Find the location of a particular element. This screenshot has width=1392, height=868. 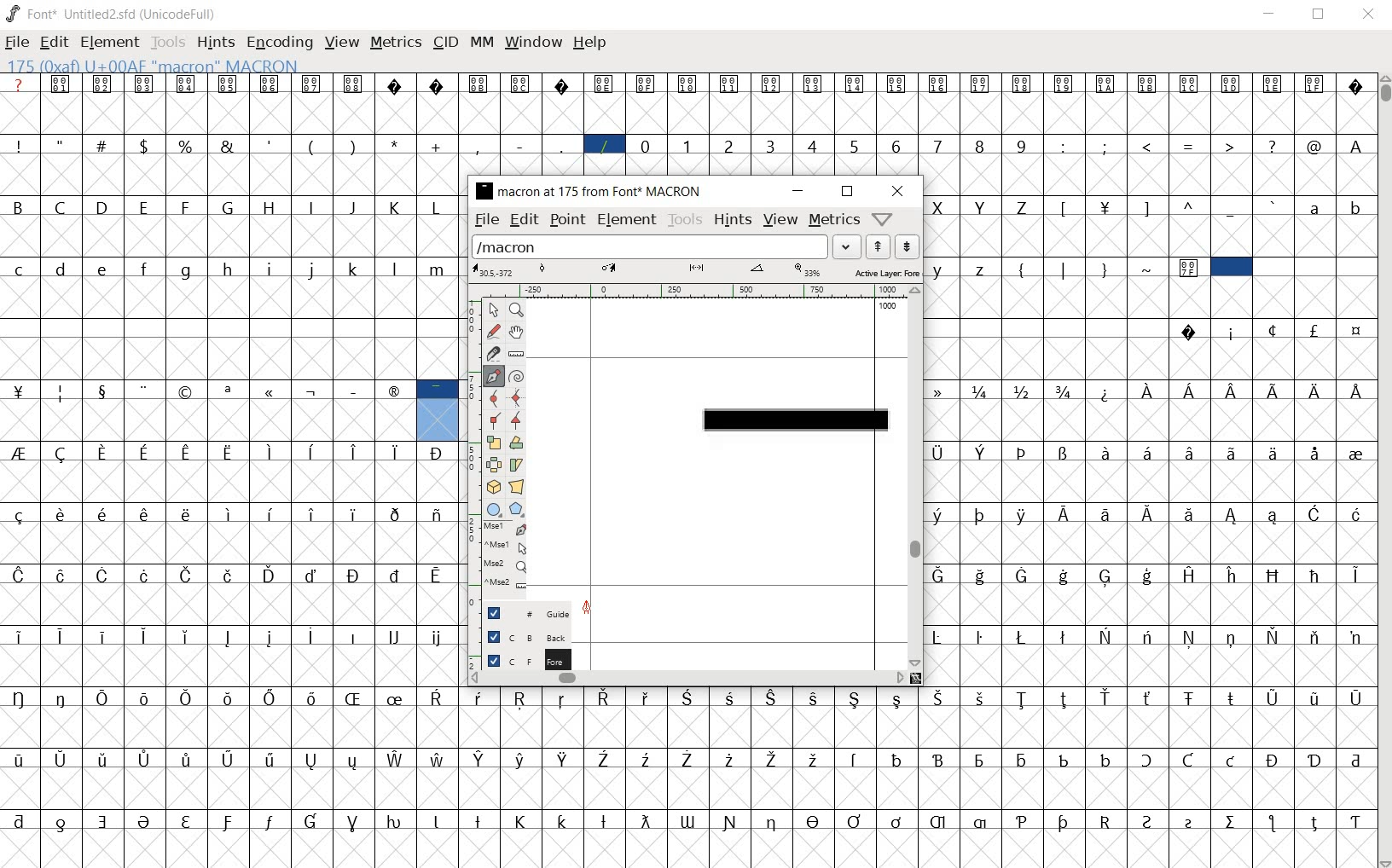

Symbol is located at coordinates (1189, 697).